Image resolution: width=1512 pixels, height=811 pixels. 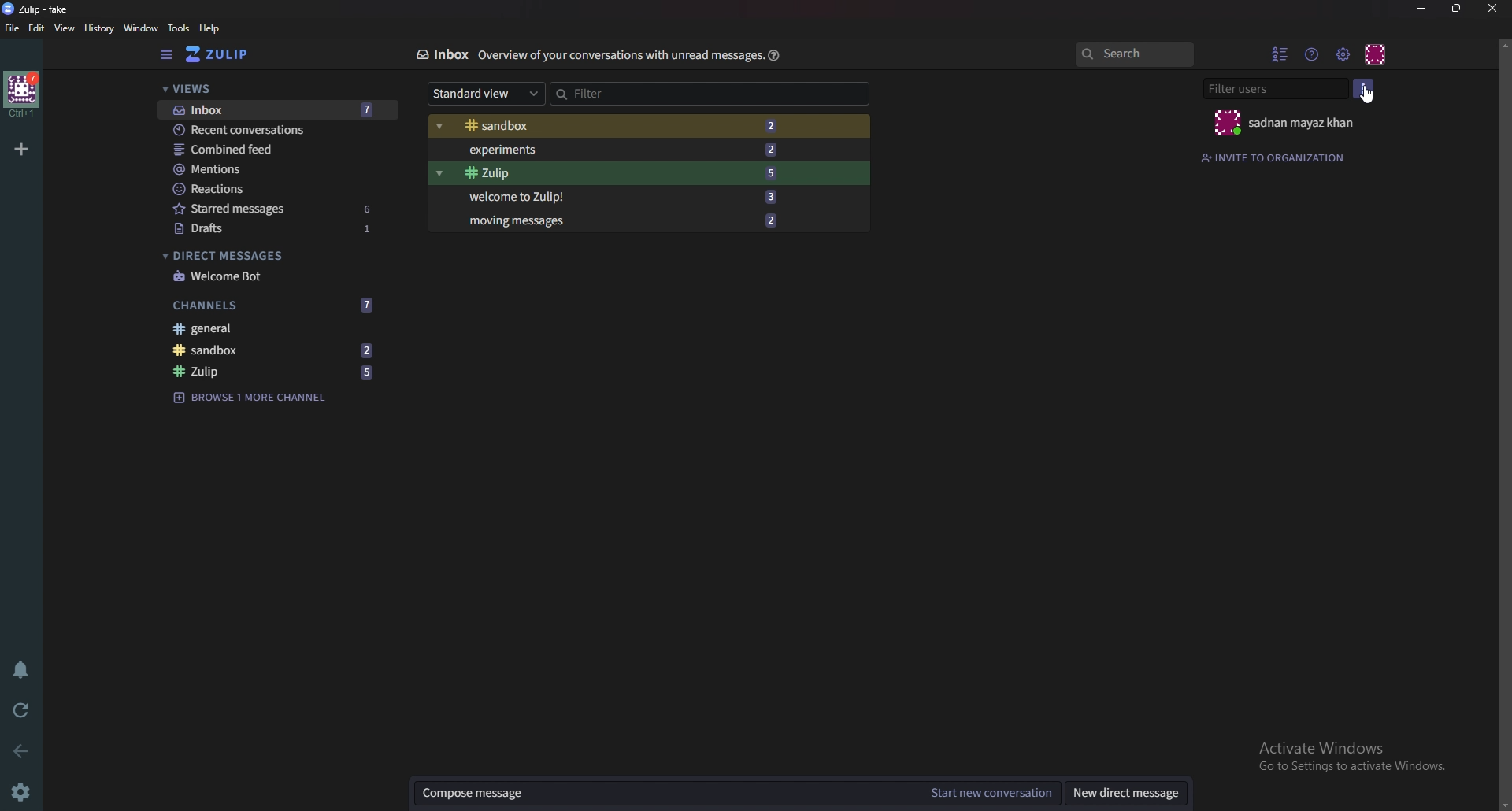 What do you see at coordinates (1282, 157) in the screenshot?
I see `Invite to organization` at bounding box center [1282, 157].